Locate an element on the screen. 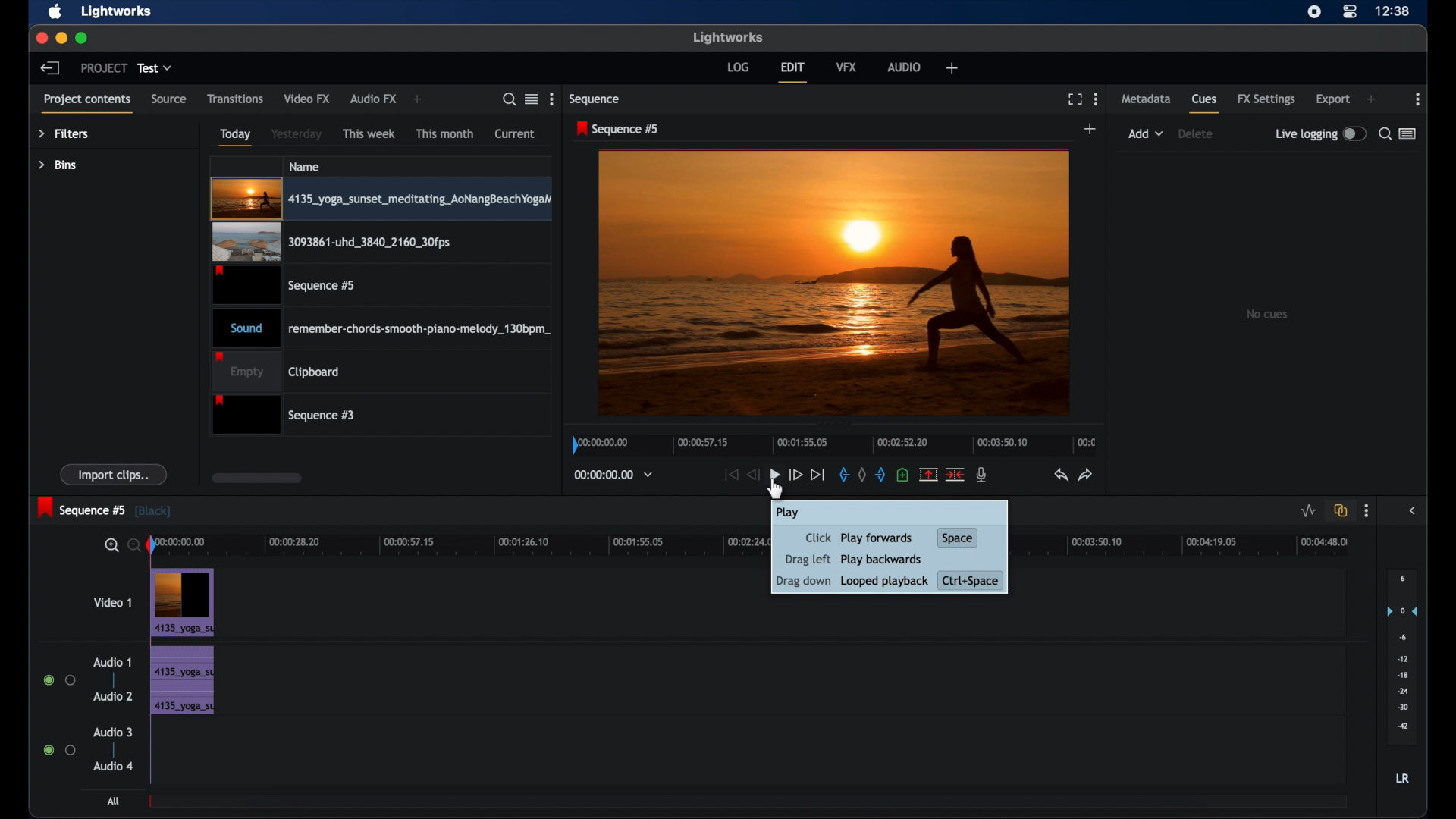 The width and height of the screenshot is (1456, 819). play button is located at coordinates (775, 475).